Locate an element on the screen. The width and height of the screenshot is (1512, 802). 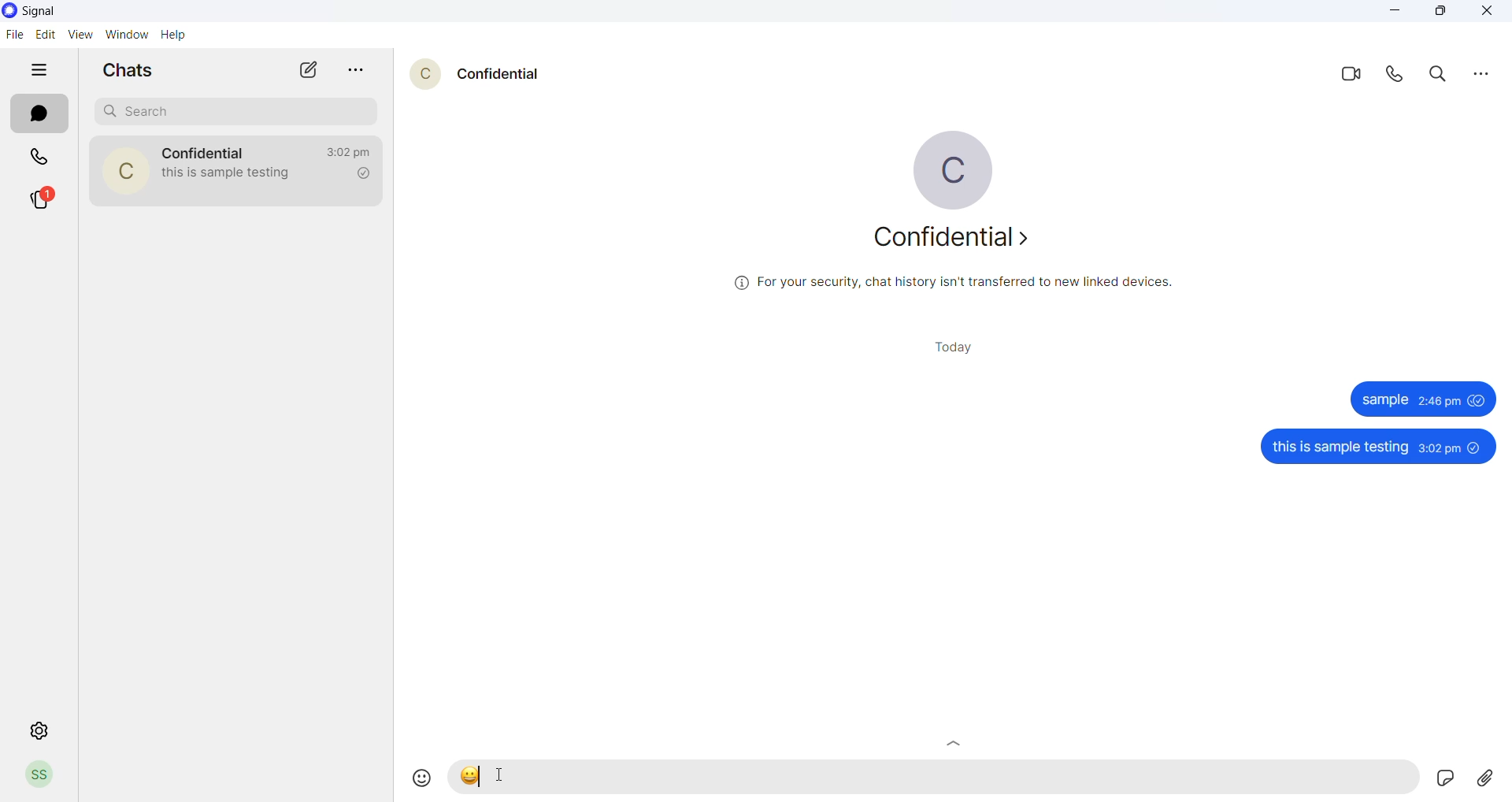
search in messages is located at coordinates (1436, 75).